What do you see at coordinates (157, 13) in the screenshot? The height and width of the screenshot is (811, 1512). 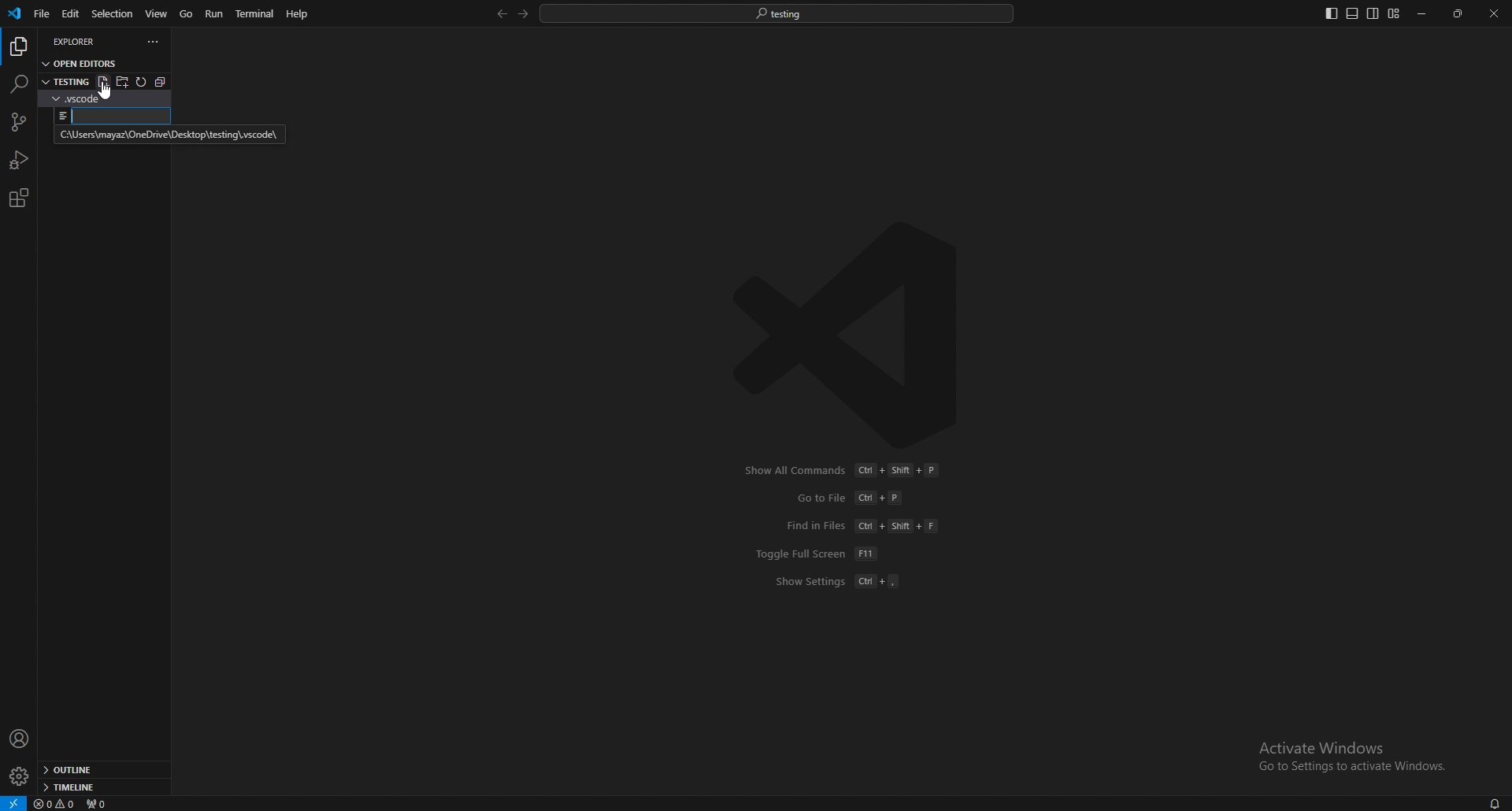 I see `view` at bounding box center [157, 13].